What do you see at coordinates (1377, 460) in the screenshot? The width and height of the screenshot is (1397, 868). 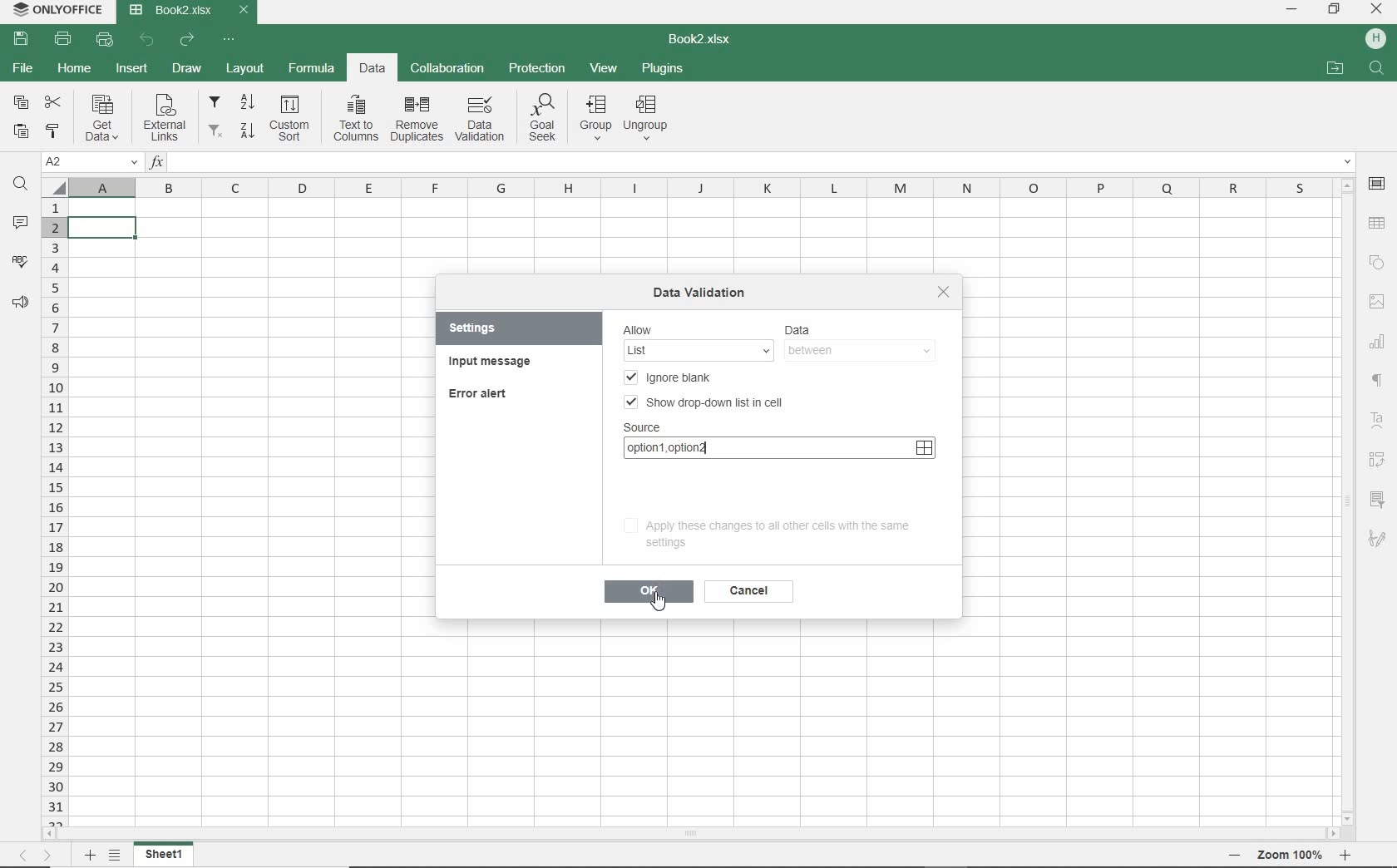 I see `PIVOT table` at bounding box center [1377, 460].